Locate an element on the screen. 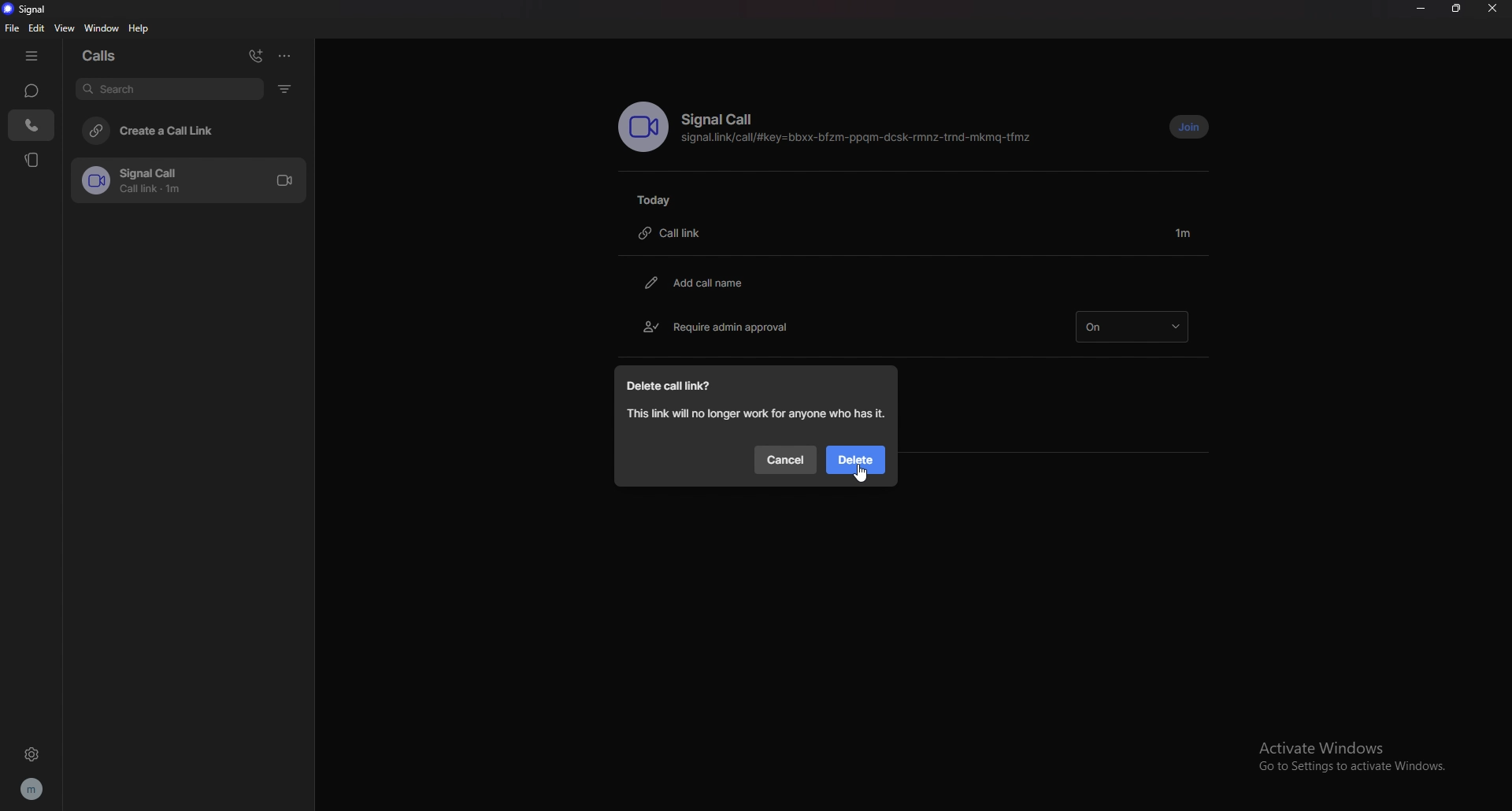 Image resolution: width=1512 pixels, height=811 pixels. call is located at coordinates (195, 180).